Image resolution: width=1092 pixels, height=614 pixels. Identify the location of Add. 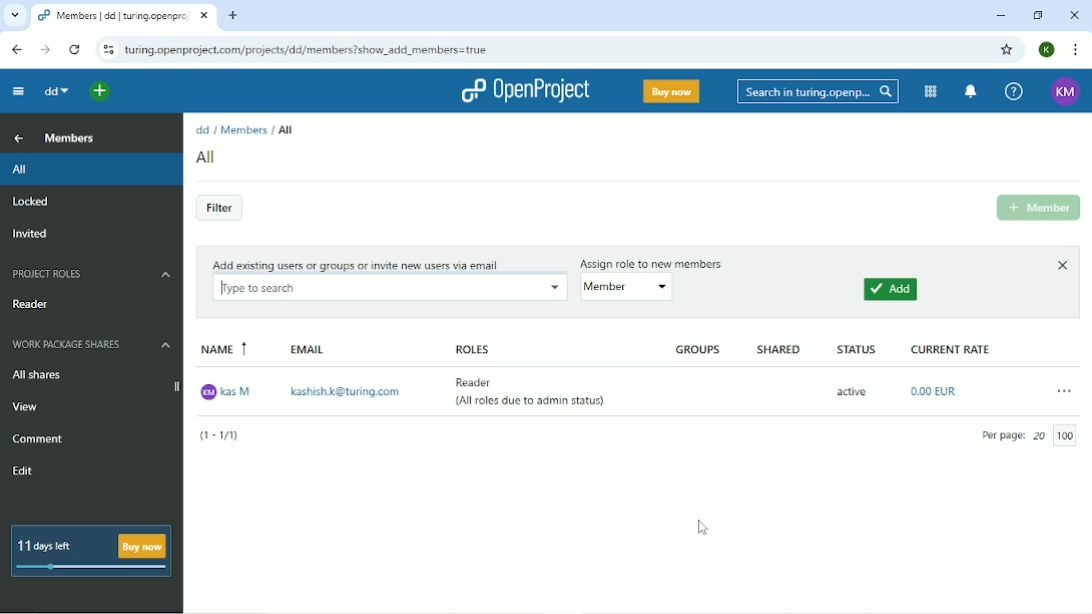
(891, 291).